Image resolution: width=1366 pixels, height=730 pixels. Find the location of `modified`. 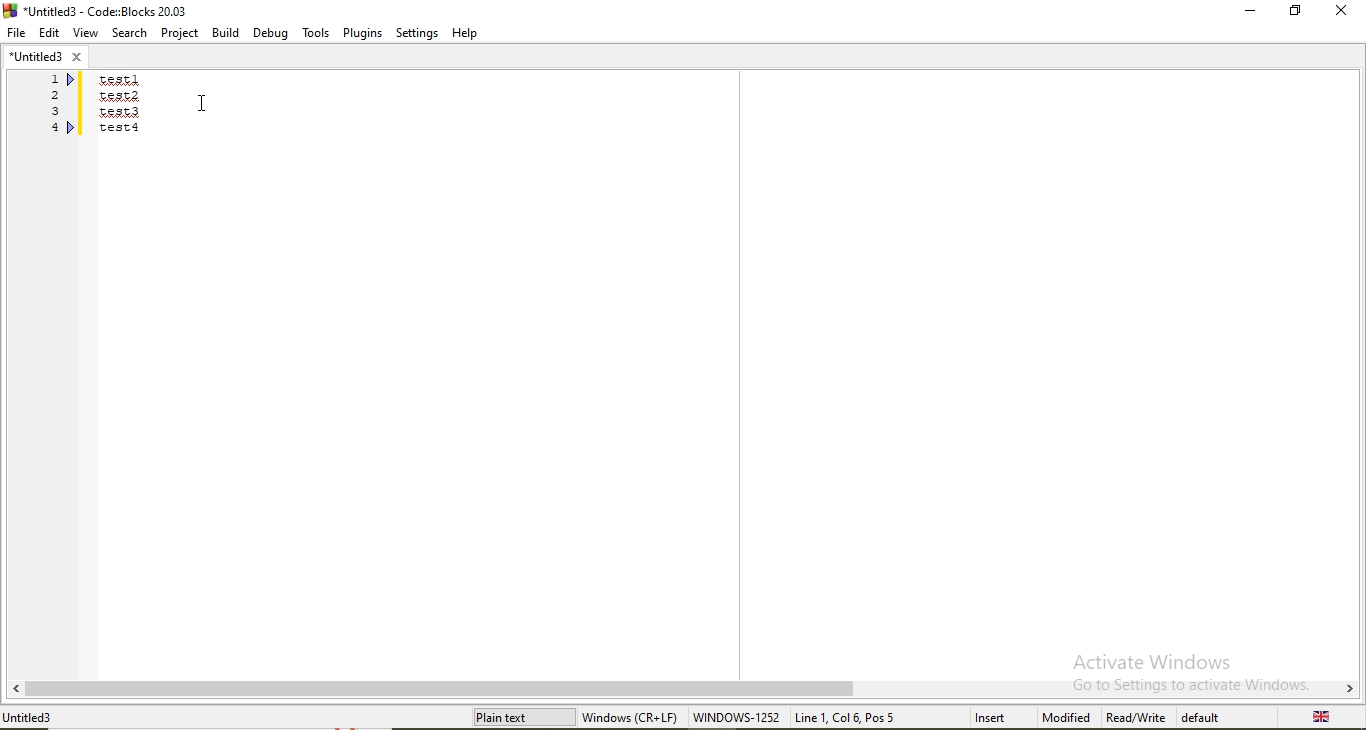

modified is located at coordinates (1065, 718).